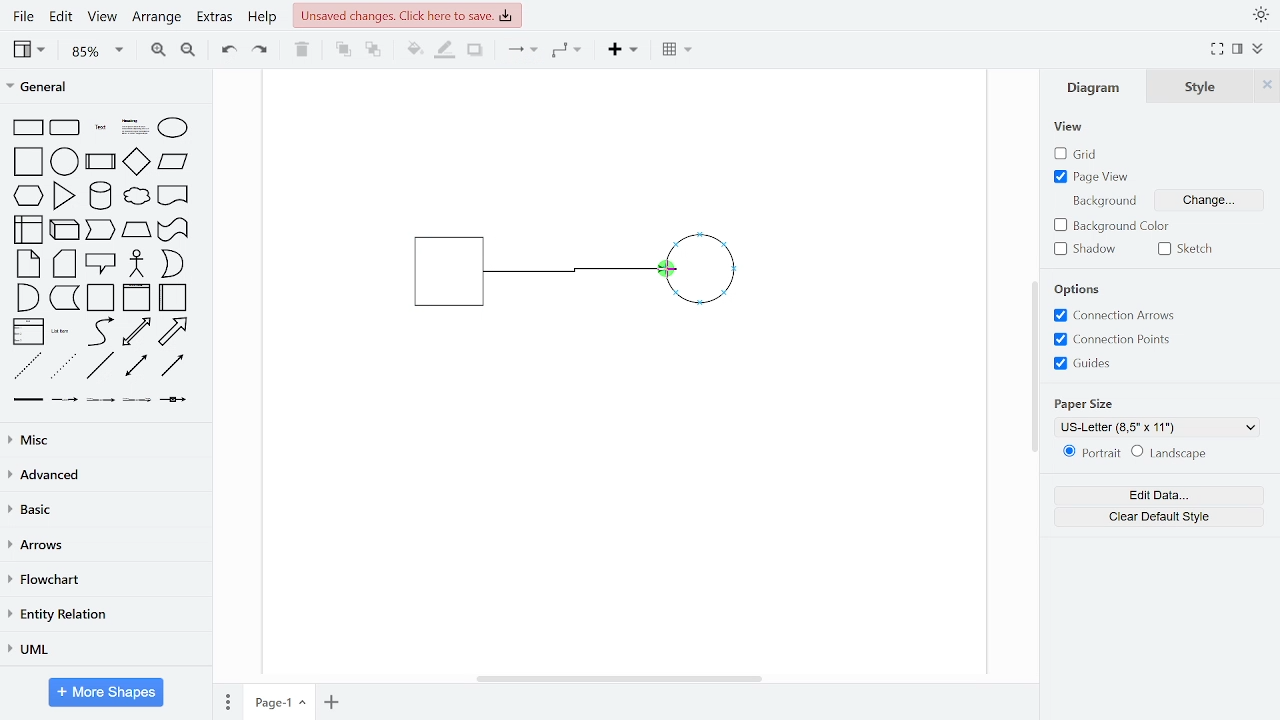 Image resolution: width=1280 pixels, height=720 pixels. Describe the element at coordinates (1260, 50) in the screenshot. I see `collapse` at that location.